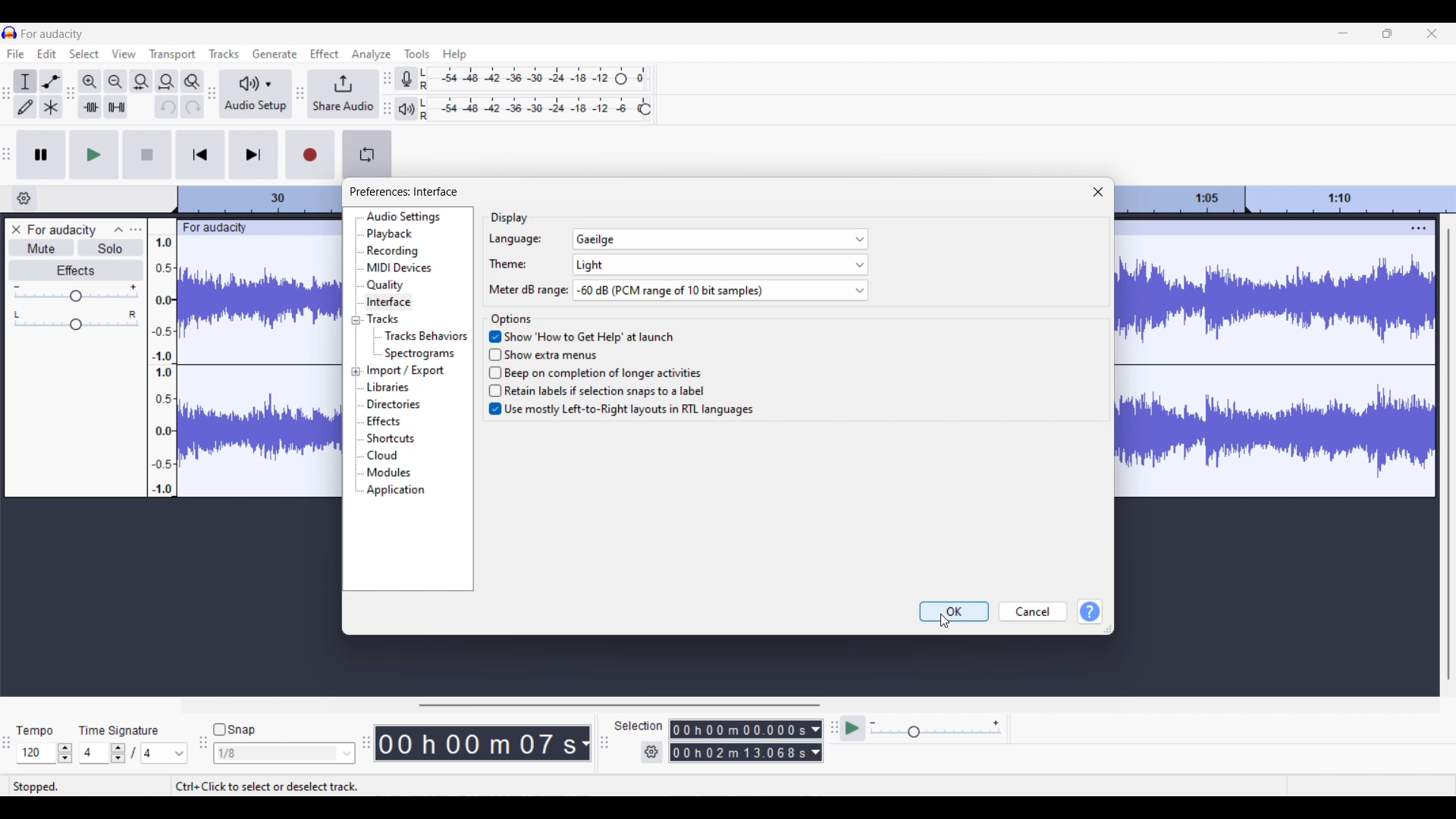 The height and width of the screenshot is (819, 1456). What do you see at coordinates (25, 81) in the screenshot?
I see `Selection tool` at bounding box center [25, 81].